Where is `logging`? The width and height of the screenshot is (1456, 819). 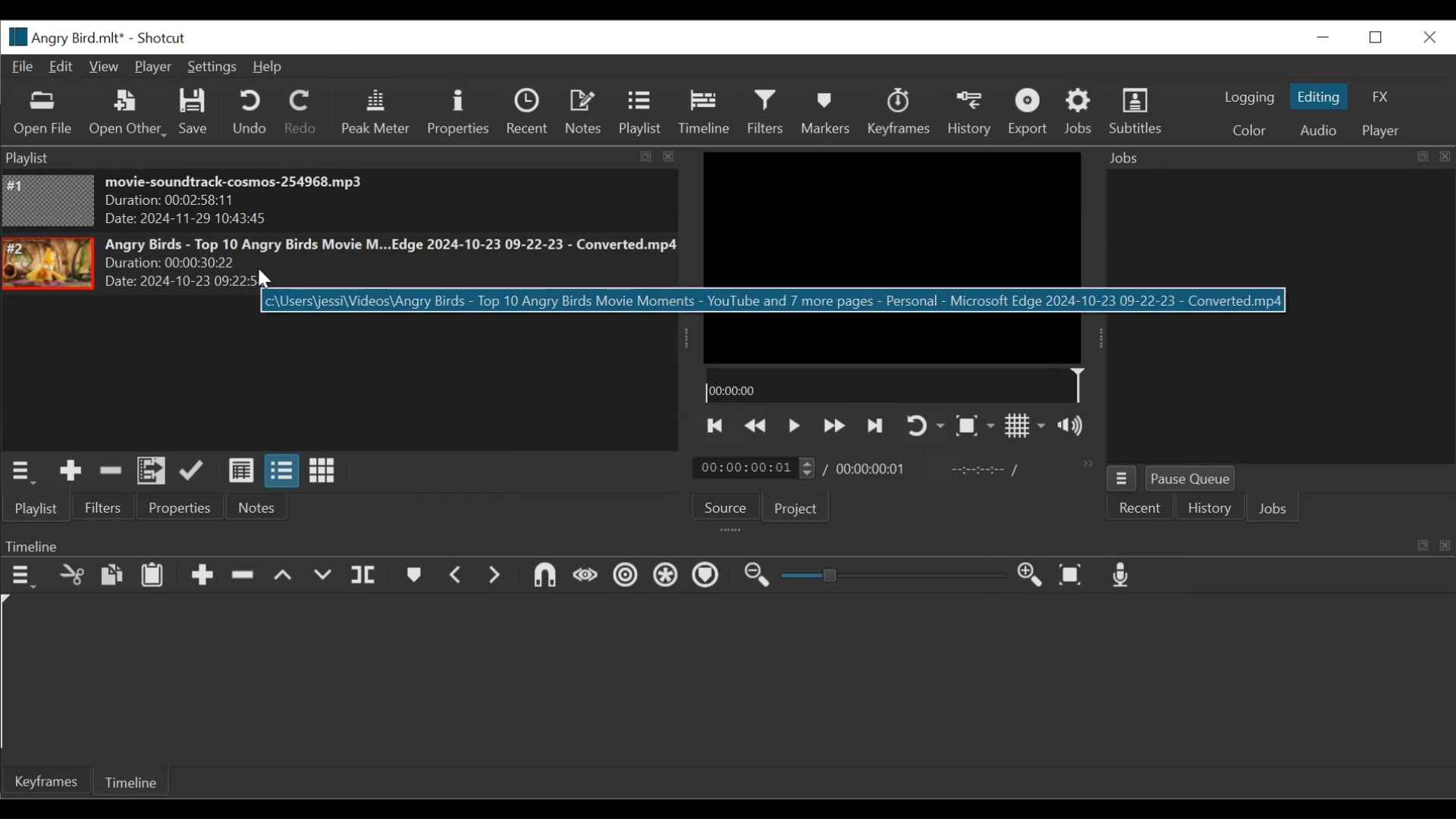
logging is located at coordinates (1250, 97).